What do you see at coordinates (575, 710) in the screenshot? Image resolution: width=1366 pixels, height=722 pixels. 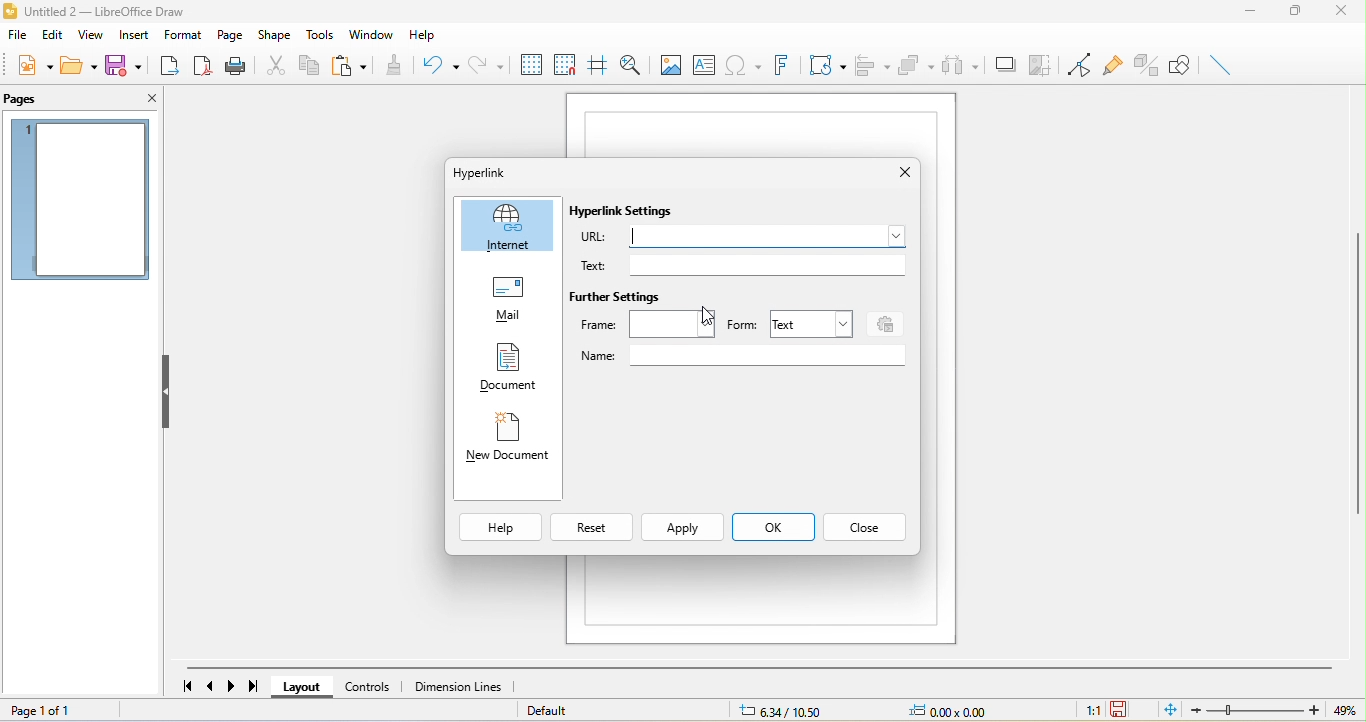 I see `default` at bounding box center [575, 710].